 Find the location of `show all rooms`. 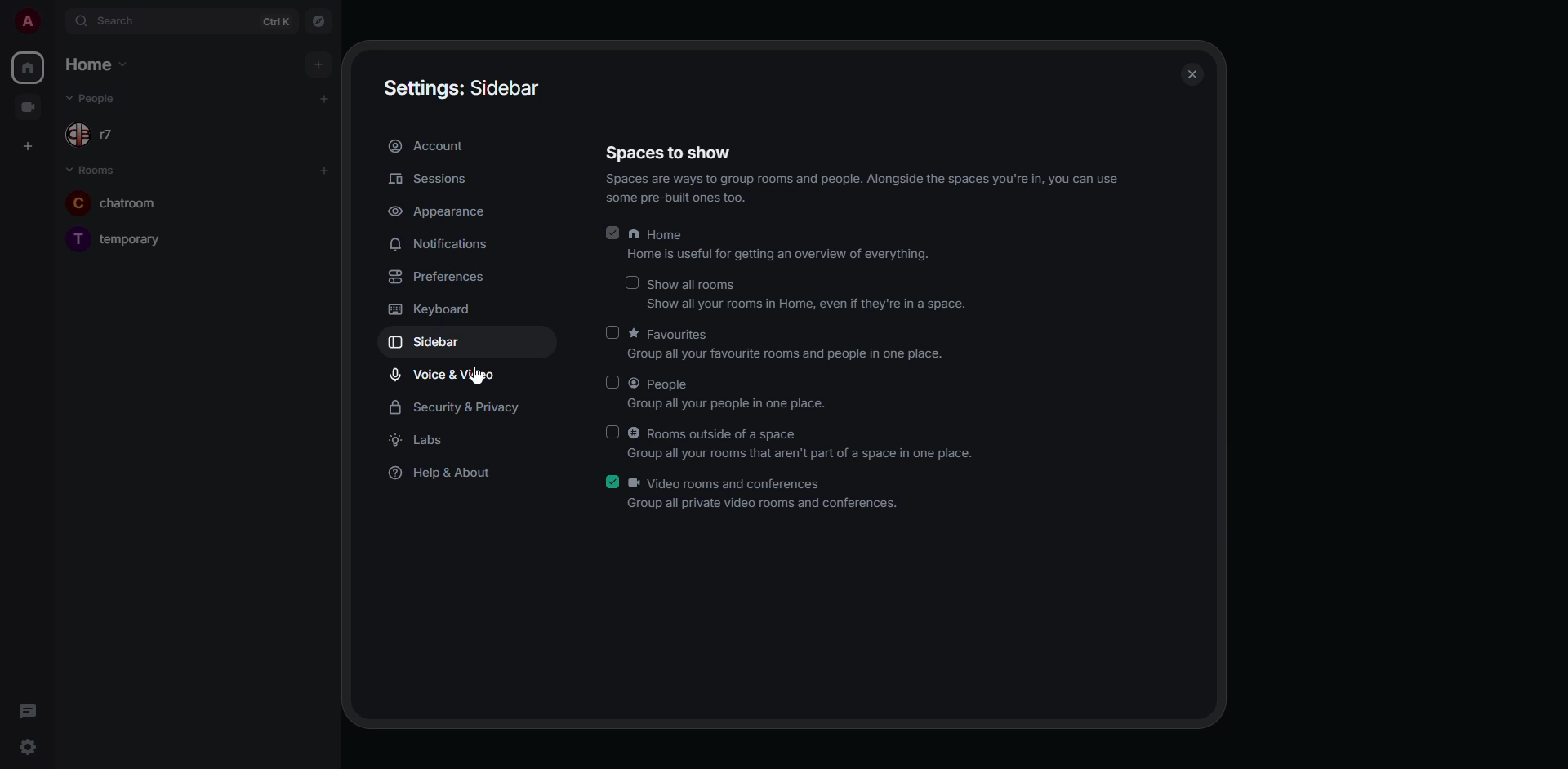

show all rooms is located at coordinates (807, 295).